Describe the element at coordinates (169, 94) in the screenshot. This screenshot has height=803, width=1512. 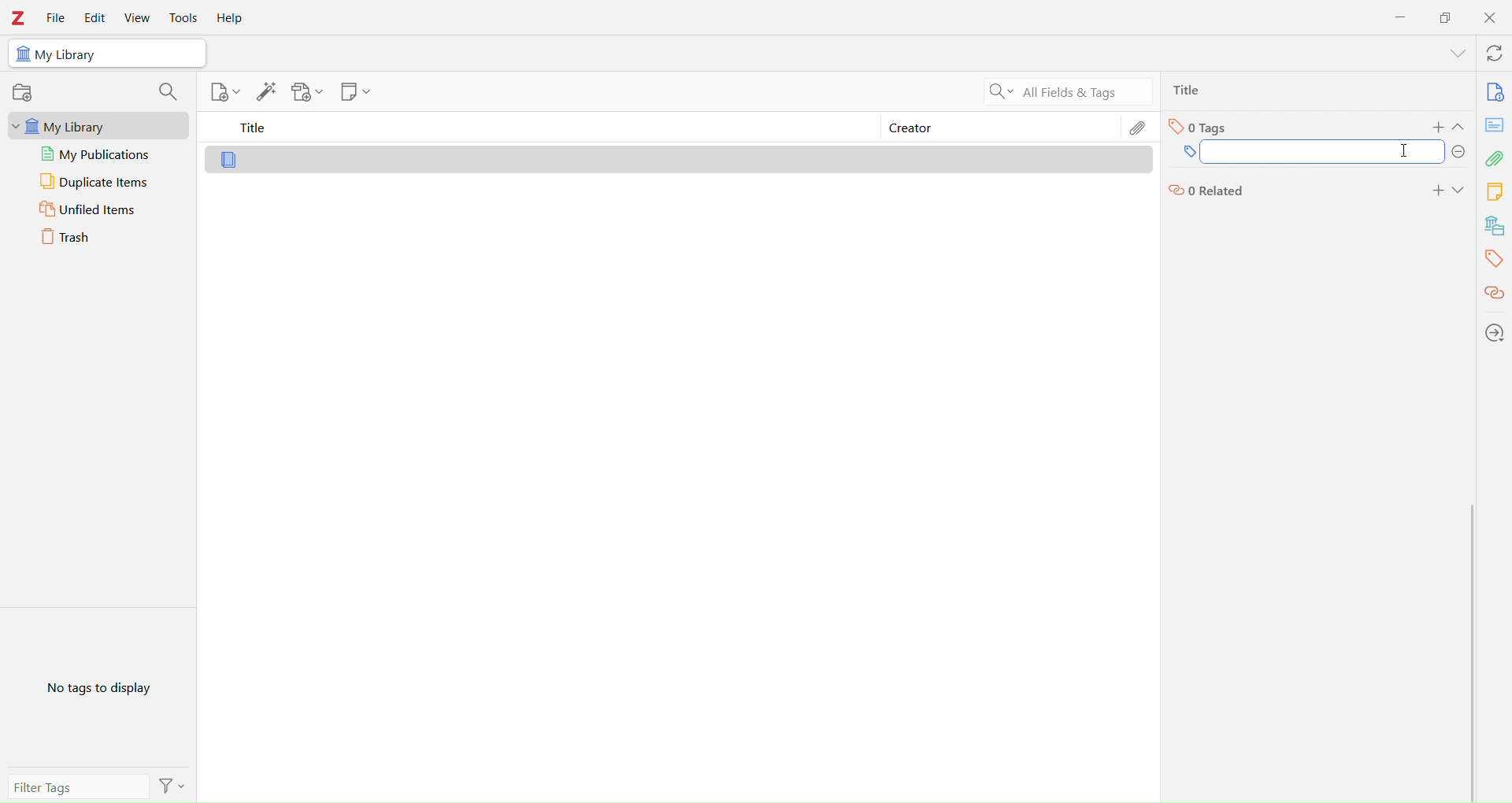
I see `search` at that location.